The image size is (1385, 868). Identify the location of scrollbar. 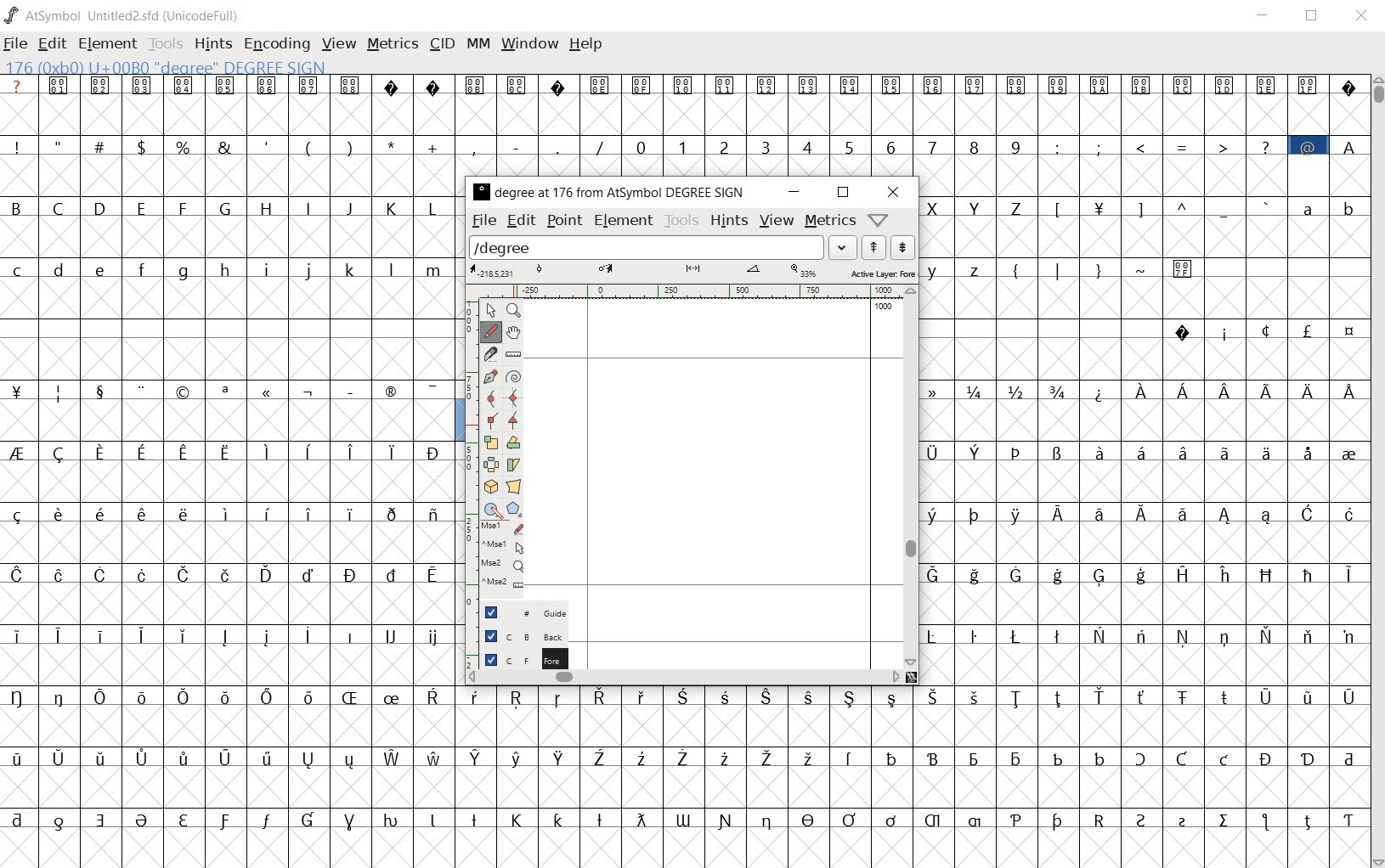
(1377, 470).